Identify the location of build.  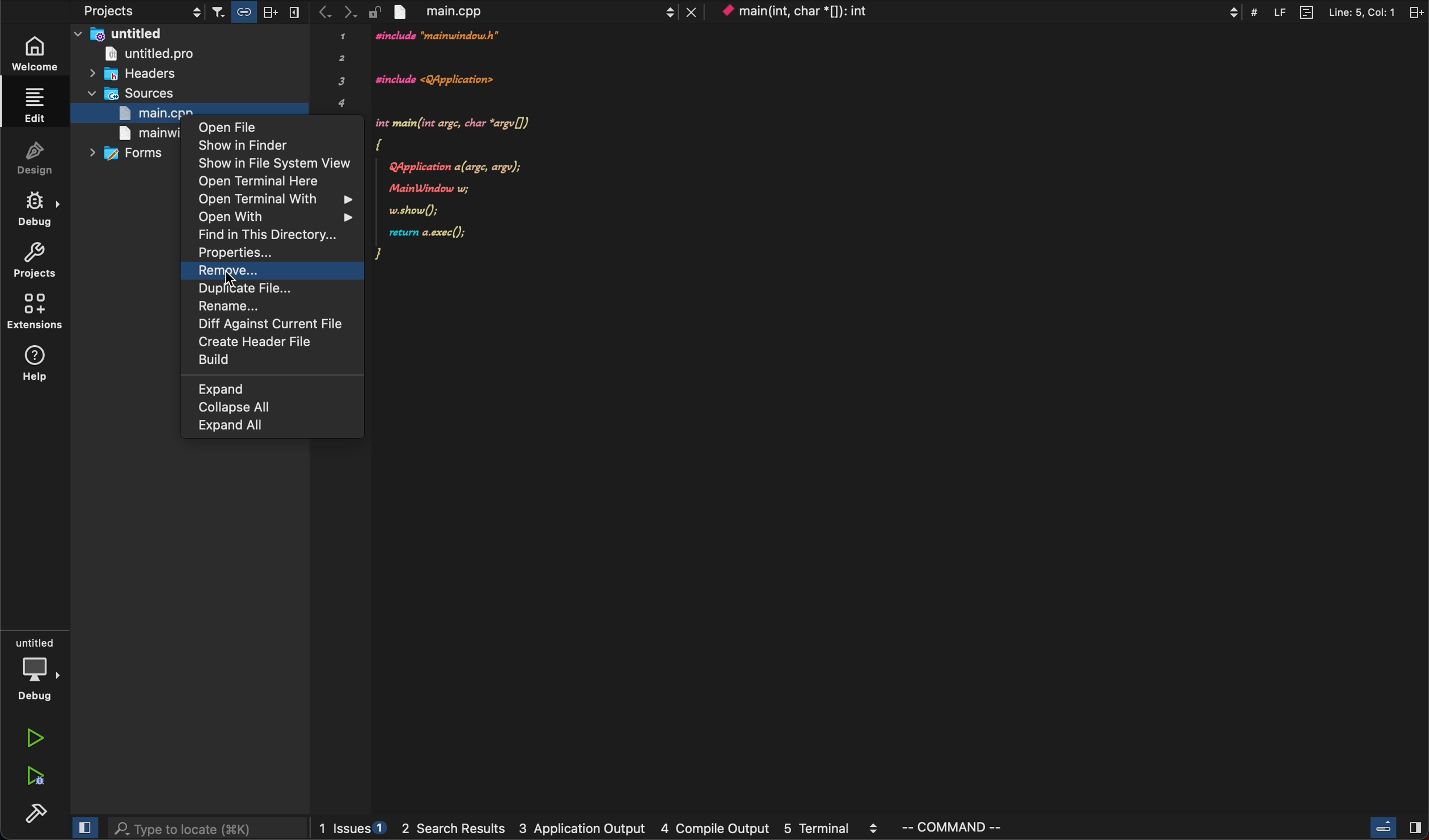
(33, 816).